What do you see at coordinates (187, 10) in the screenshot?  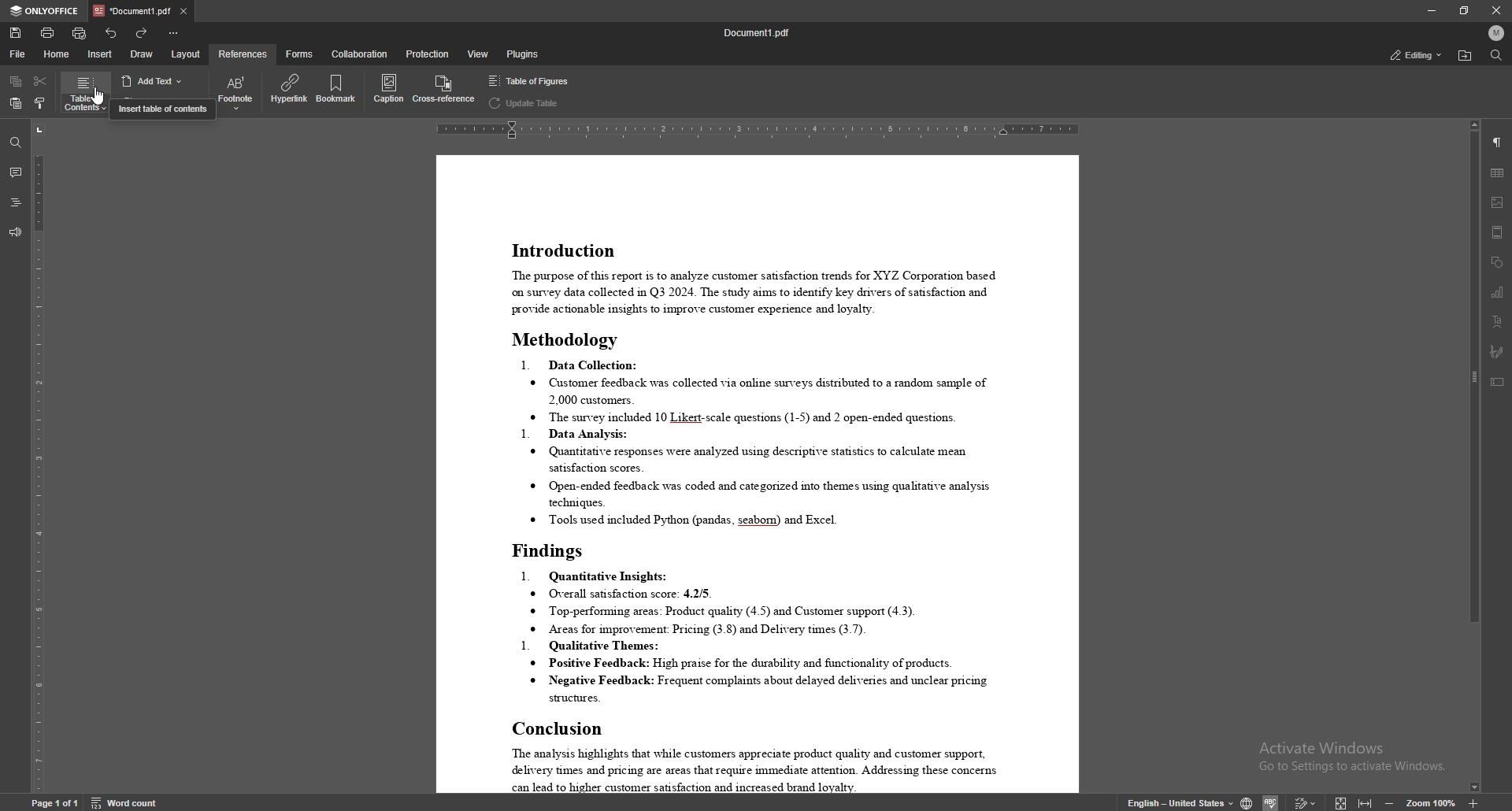 I see `close` at bounding box center [187, 10].